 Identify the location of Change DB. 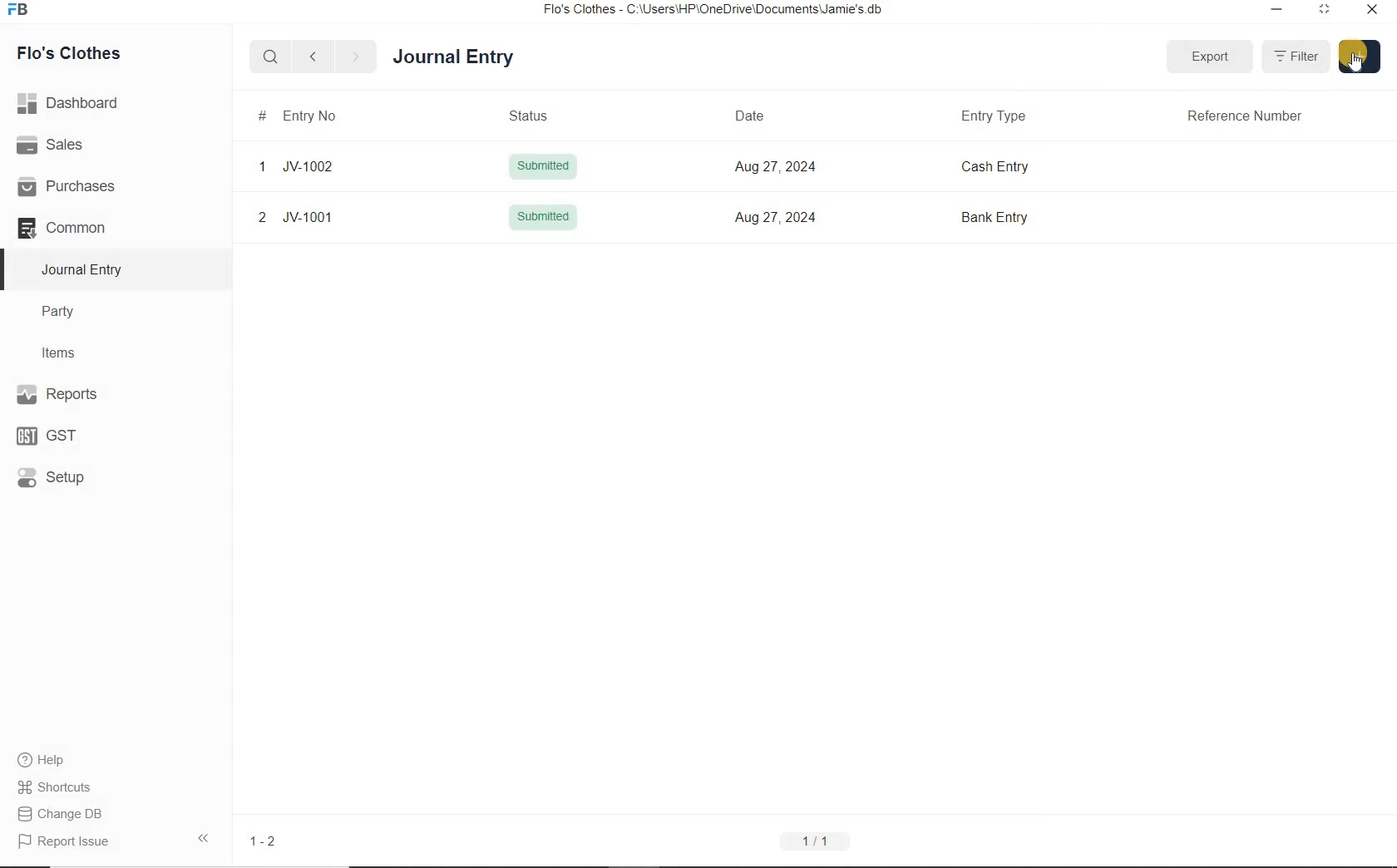
(62, 812).